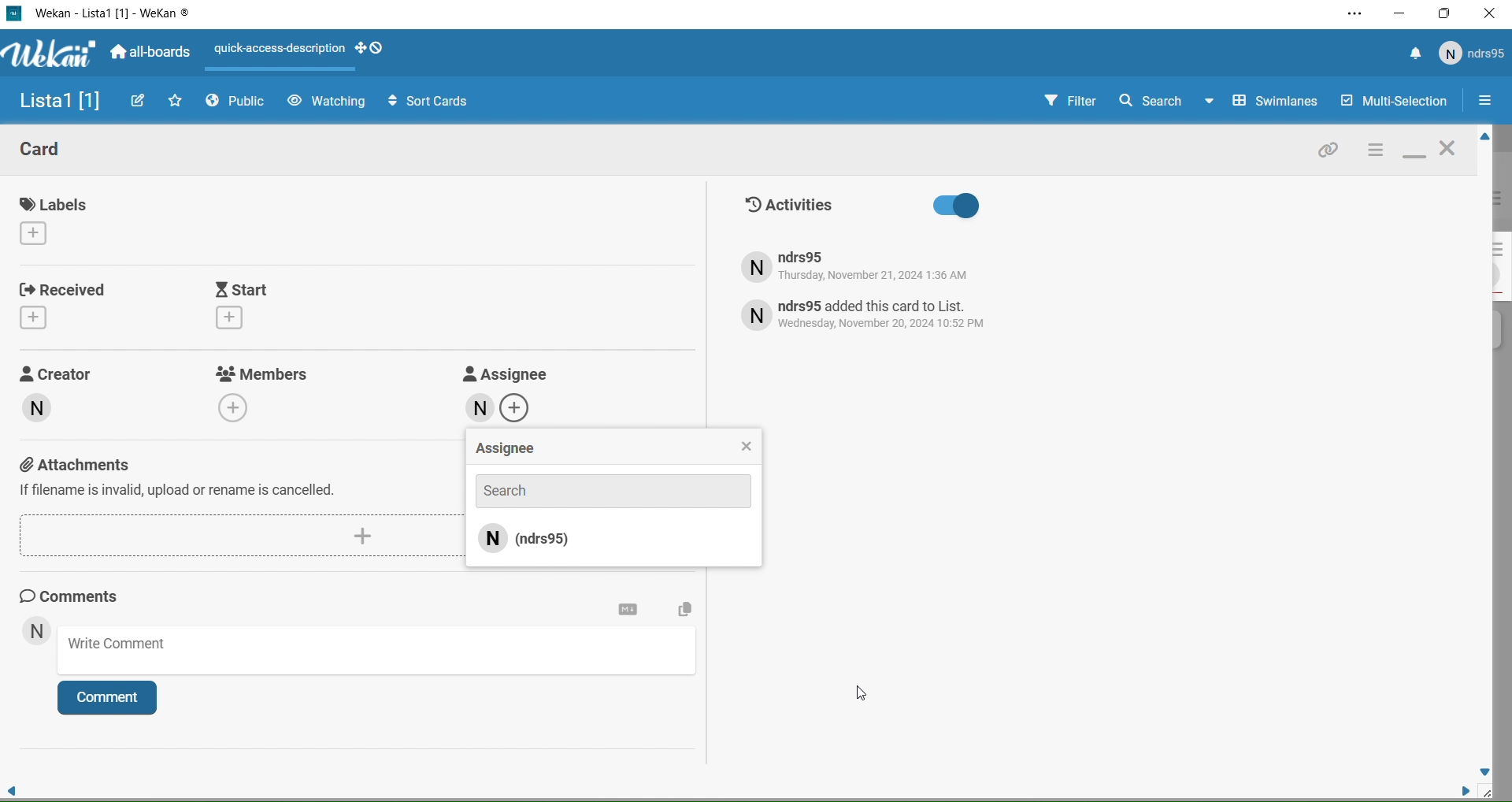  Describe the element at coordinates (13, 786) in the screenshot. I see `move left` at that location.